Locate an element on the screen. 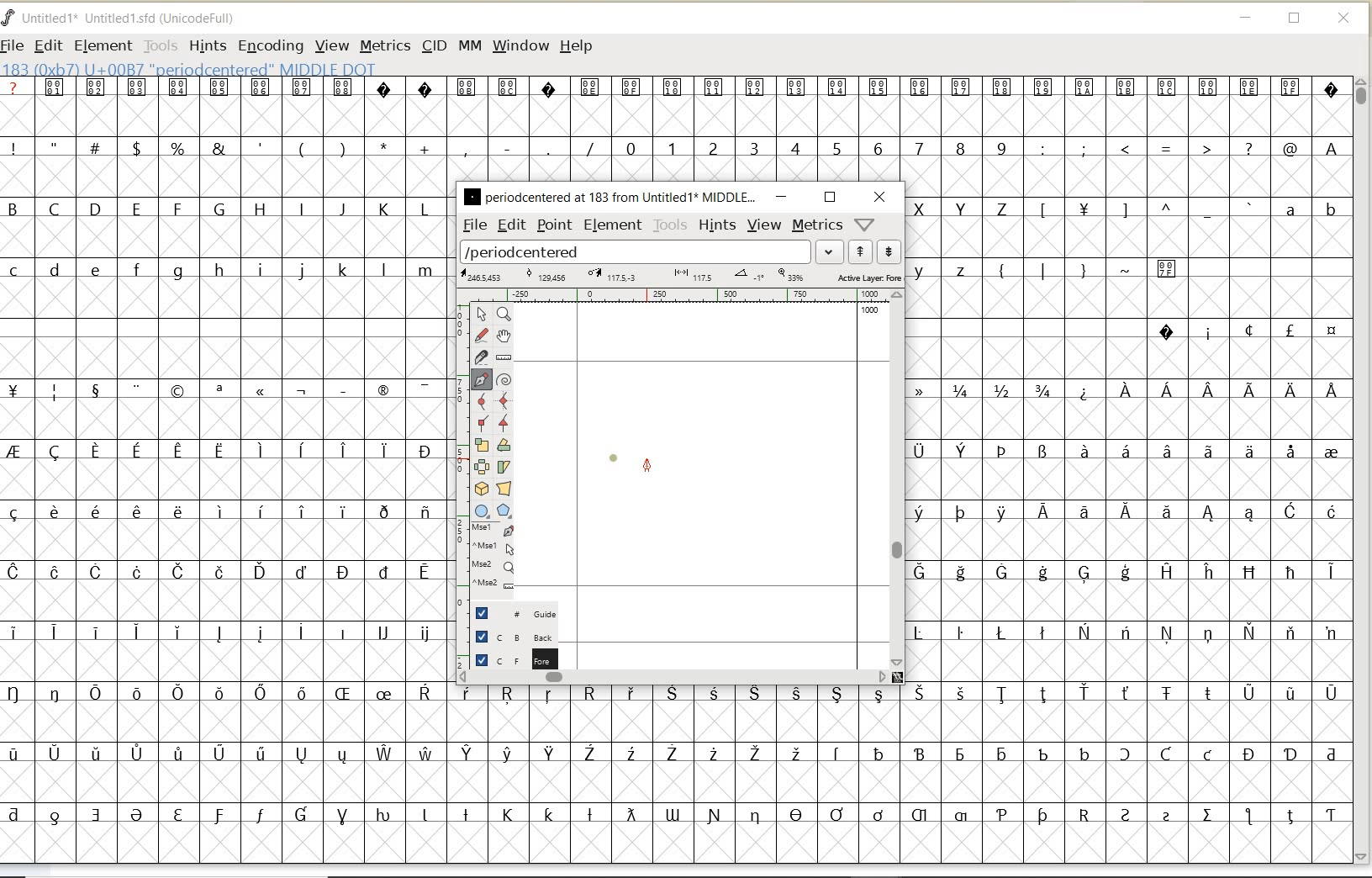 This screenshot has height=878, width=1372. dot is located at coordinates (614, 456).